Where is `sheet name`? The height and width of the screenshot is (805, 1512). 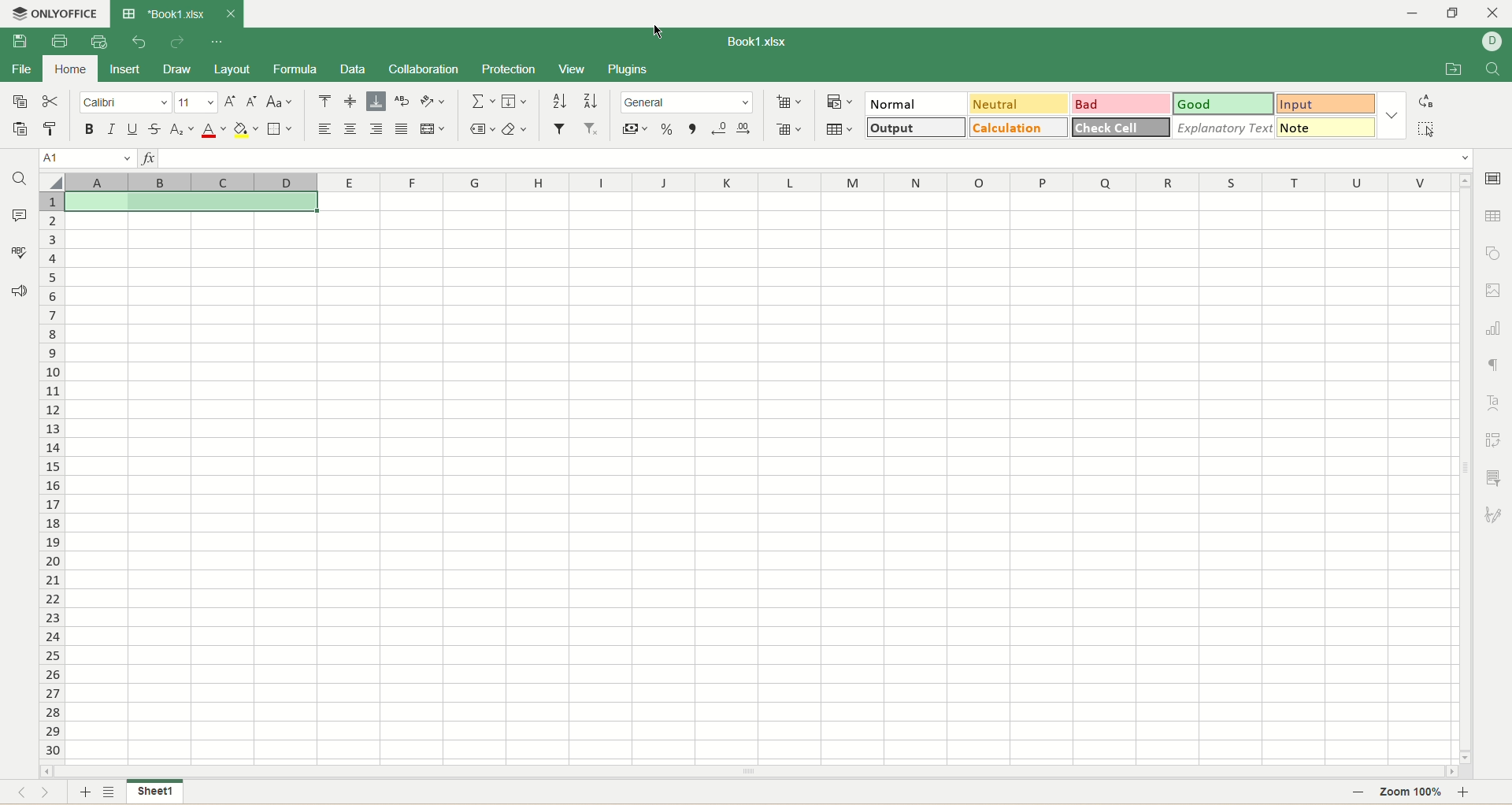 sheet name is located at coordinates (154, 792).